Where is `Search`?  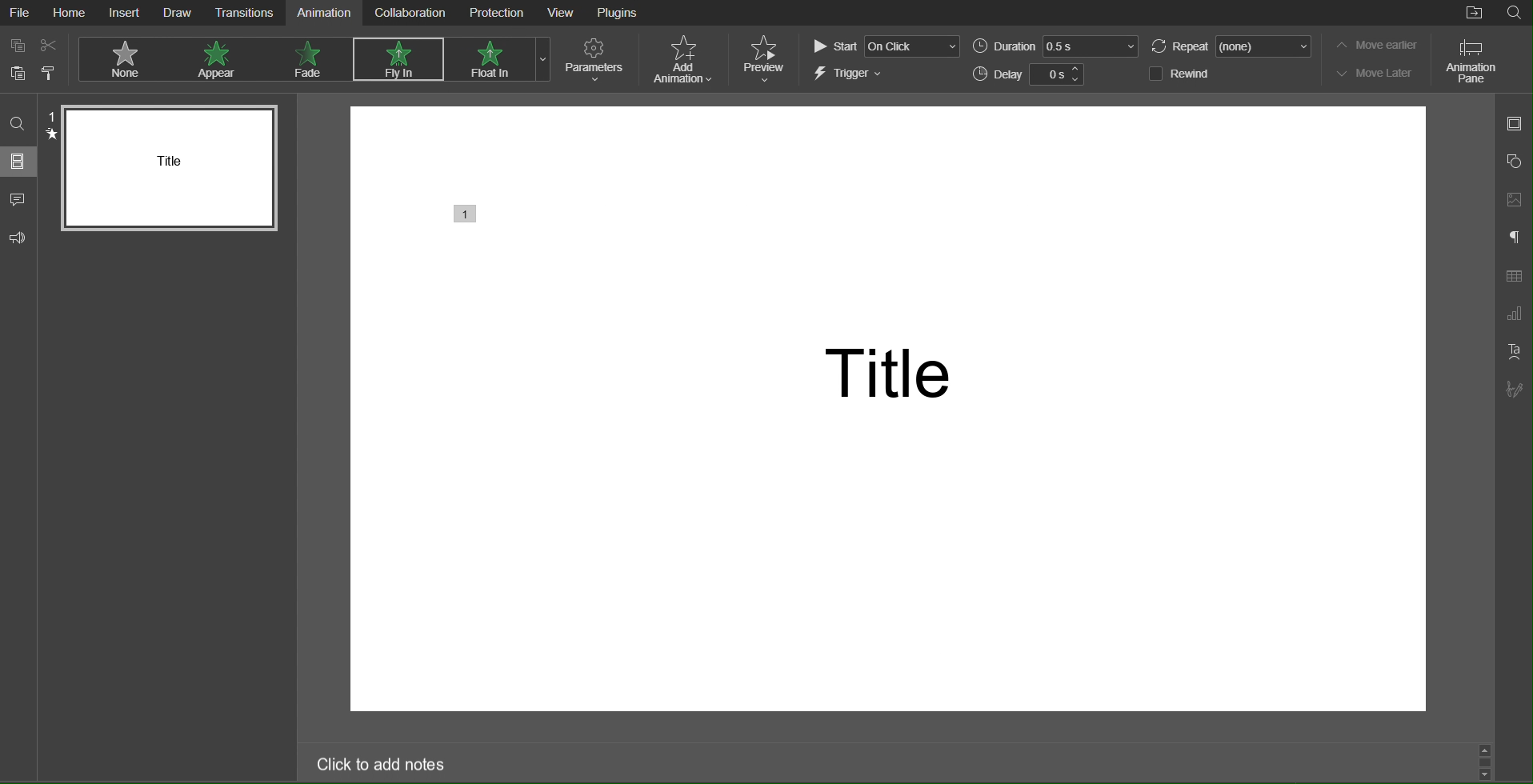
Search is located at coordinates (19, 122).